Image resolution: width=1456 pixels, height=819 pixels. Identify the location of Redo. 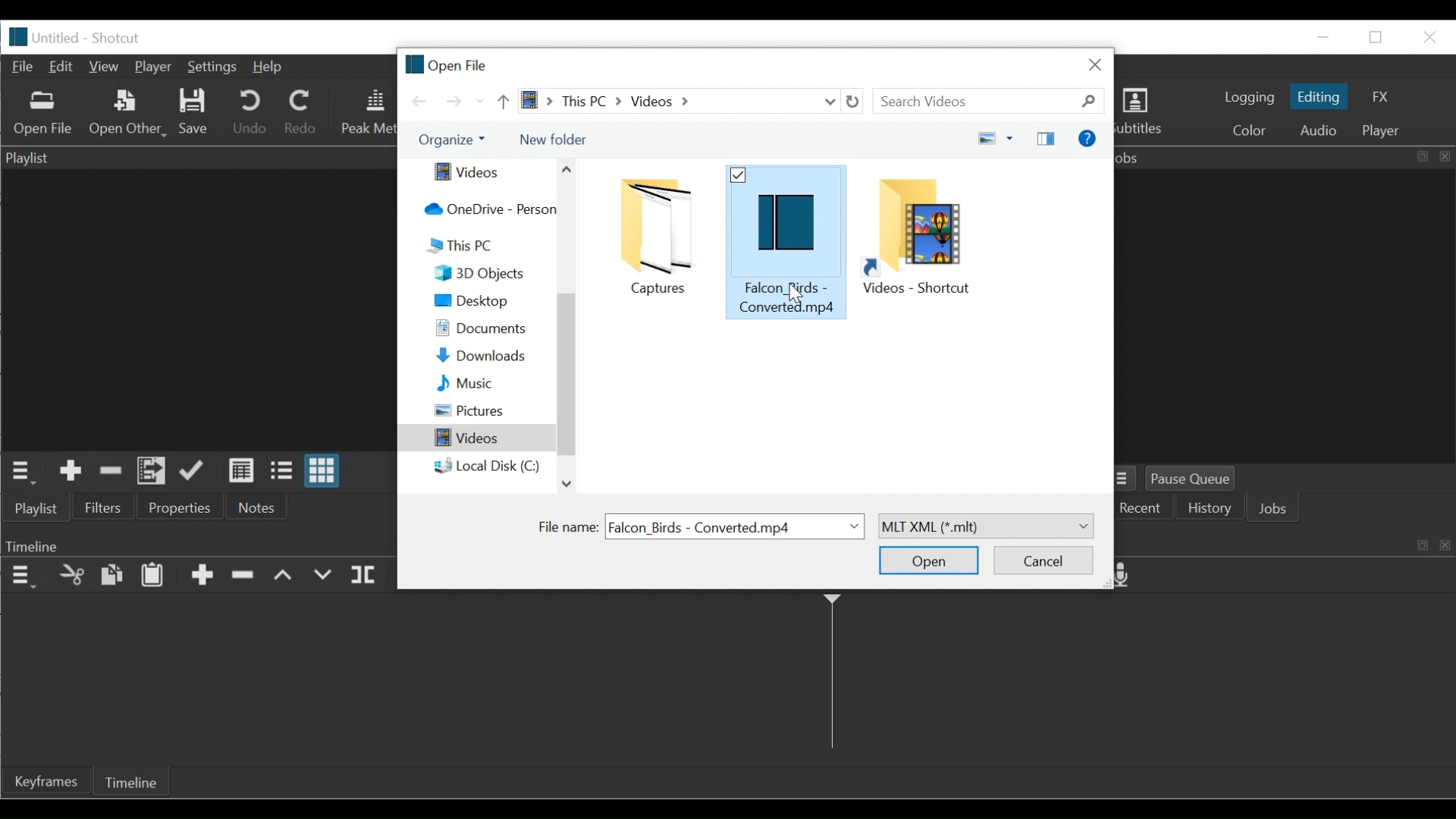
(303, 111).